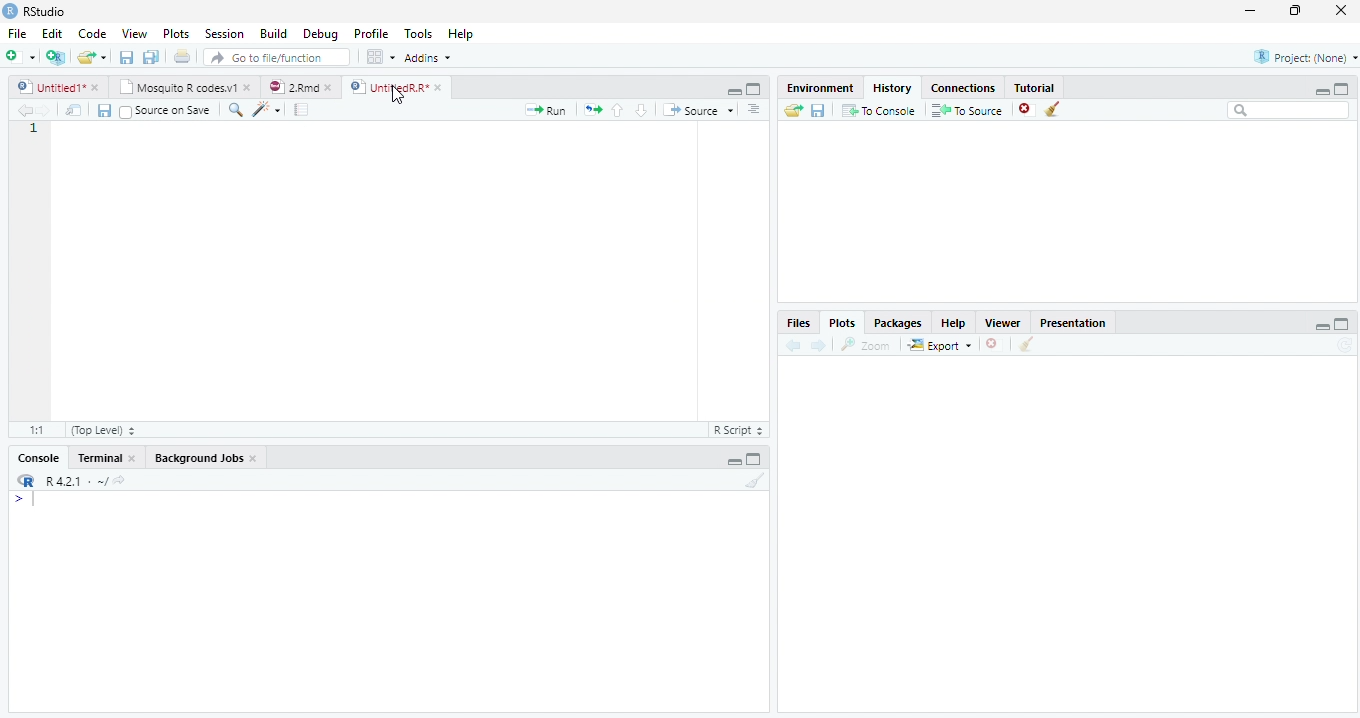  I want to click on Packages, so click(900, 322).